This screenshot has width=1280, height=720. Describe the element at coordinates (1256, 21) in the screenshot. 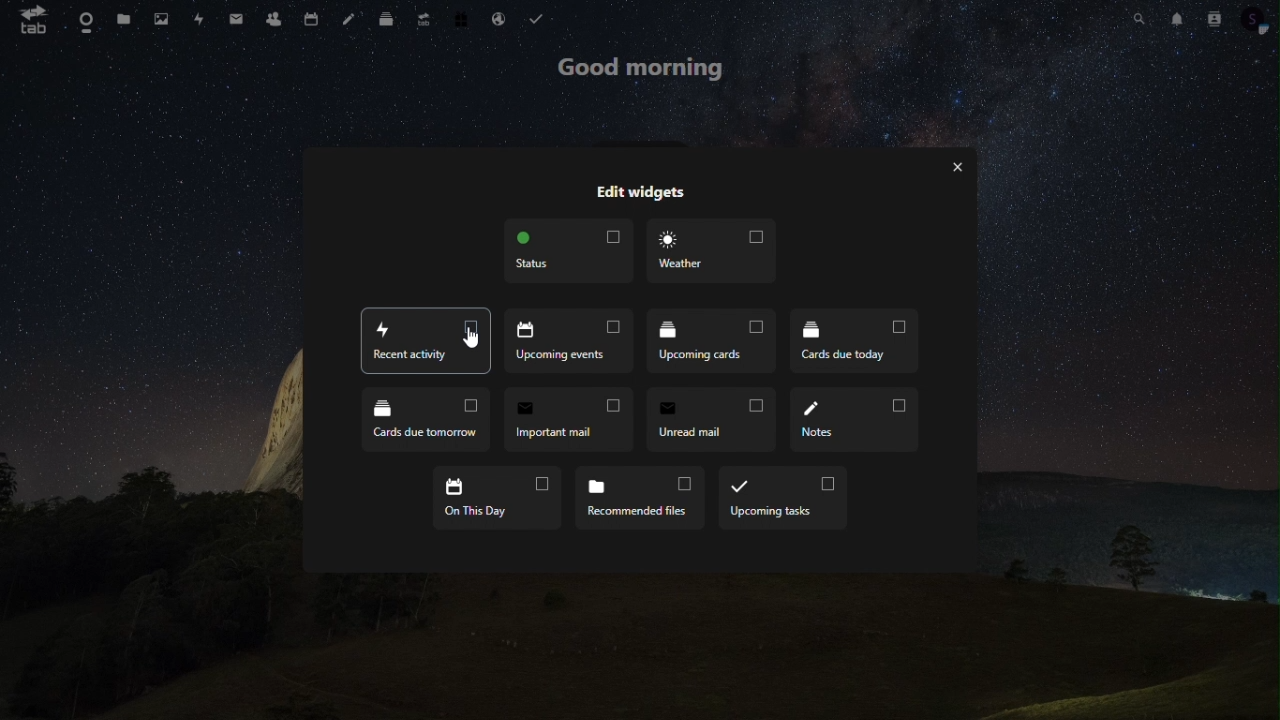

I see `profile` at that location.